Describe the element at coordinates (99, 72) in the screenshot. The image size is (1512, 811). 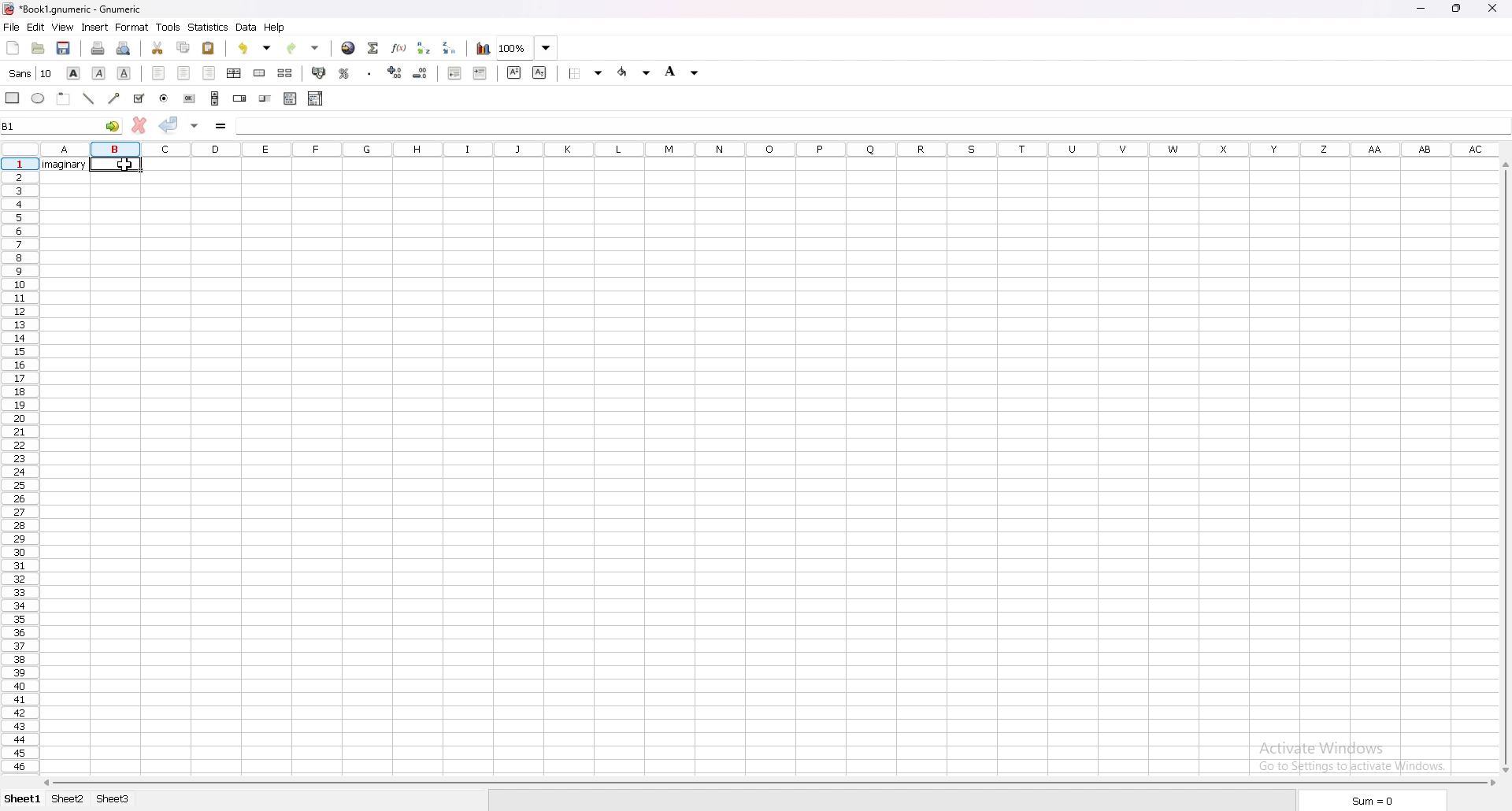
I see `italic` at that location.